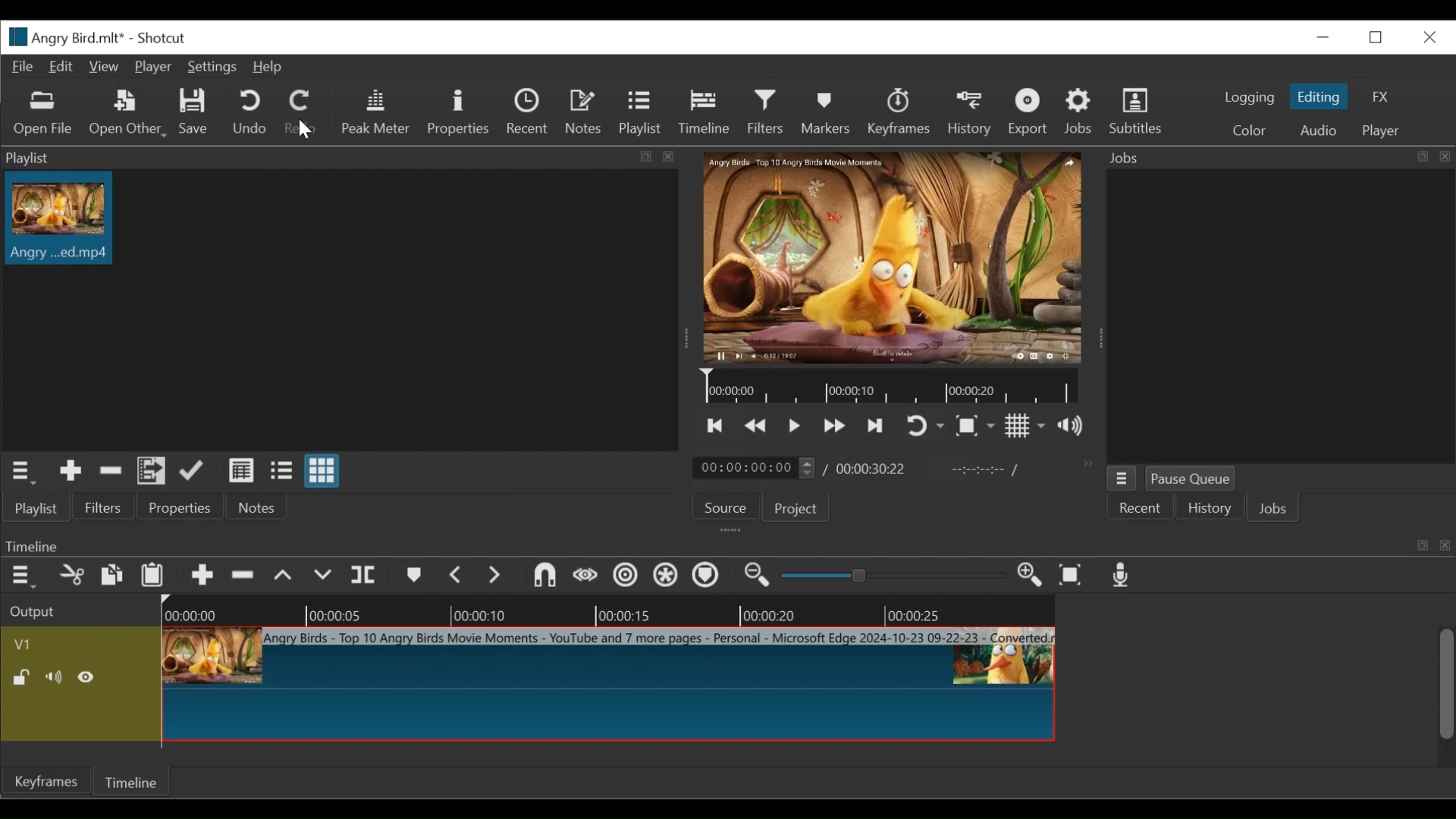 Image resolution: width=1456 pixels, height=819 pixels. Describe the element at coordinates (708, 576) in the screenshot. I see `Ripple markers` at that location.